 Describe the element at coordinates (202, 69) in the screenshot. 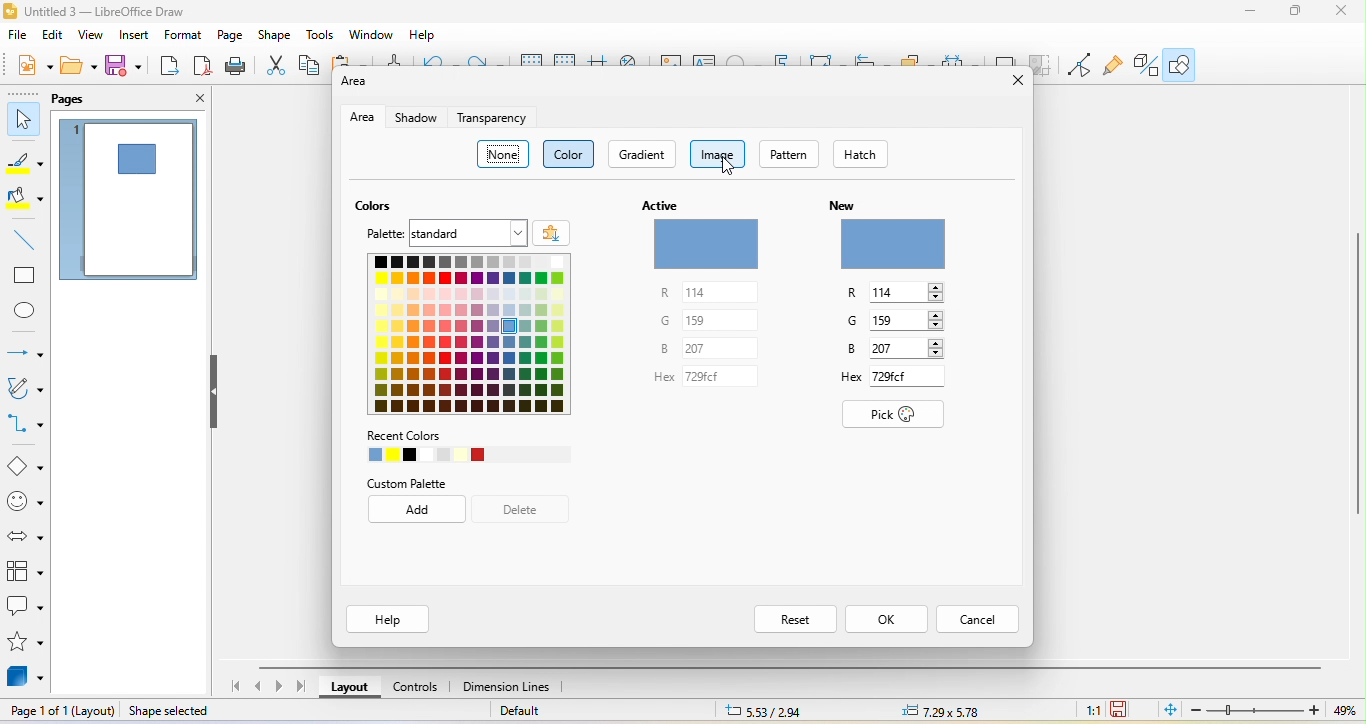

I see `export directly as pdf` at that location.